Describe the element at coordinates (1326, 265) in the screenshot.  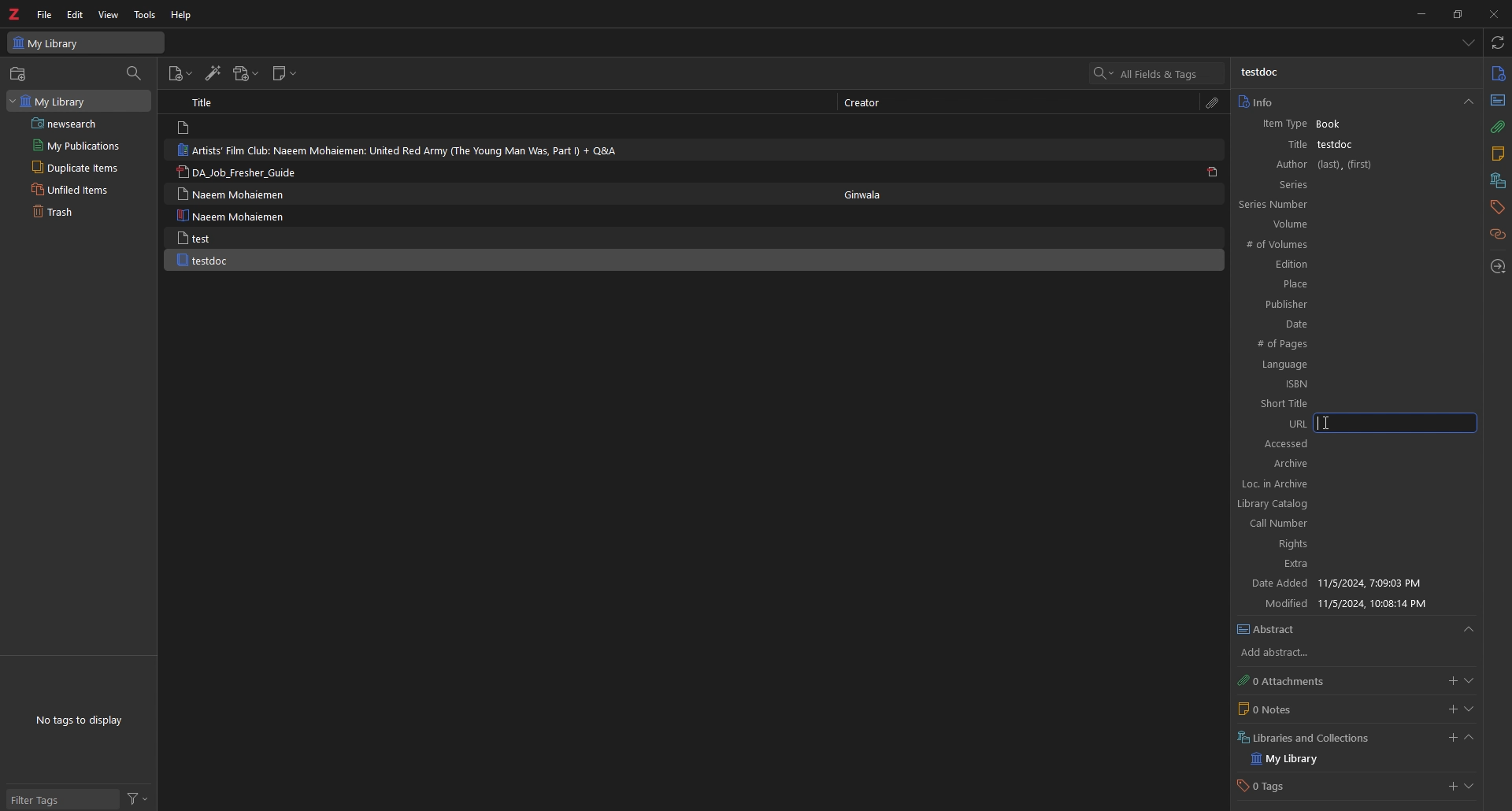
I see `Edition` at that location.